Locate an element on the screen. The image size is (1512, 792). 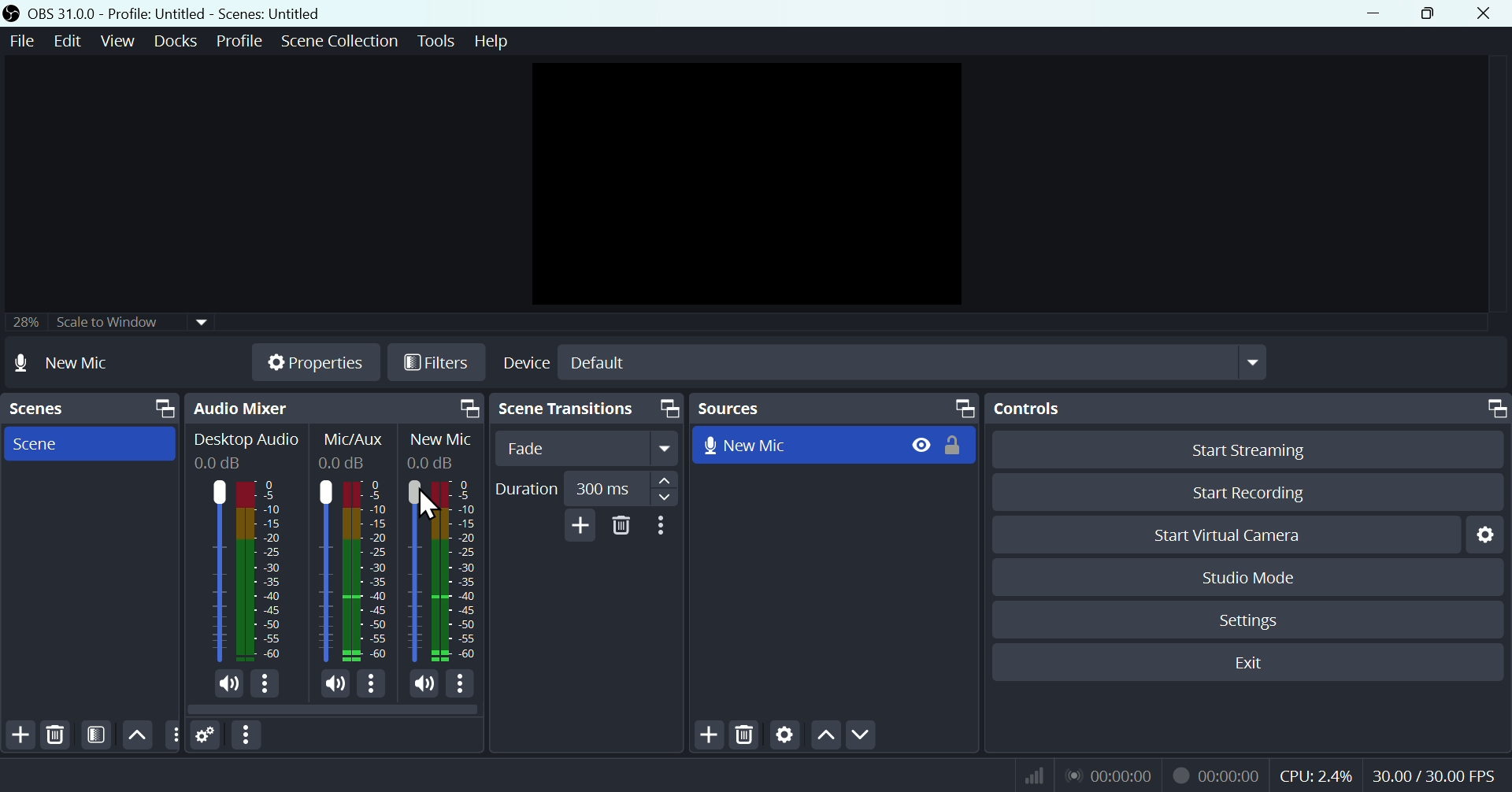
Settings is located at coordinates (1490, 534).